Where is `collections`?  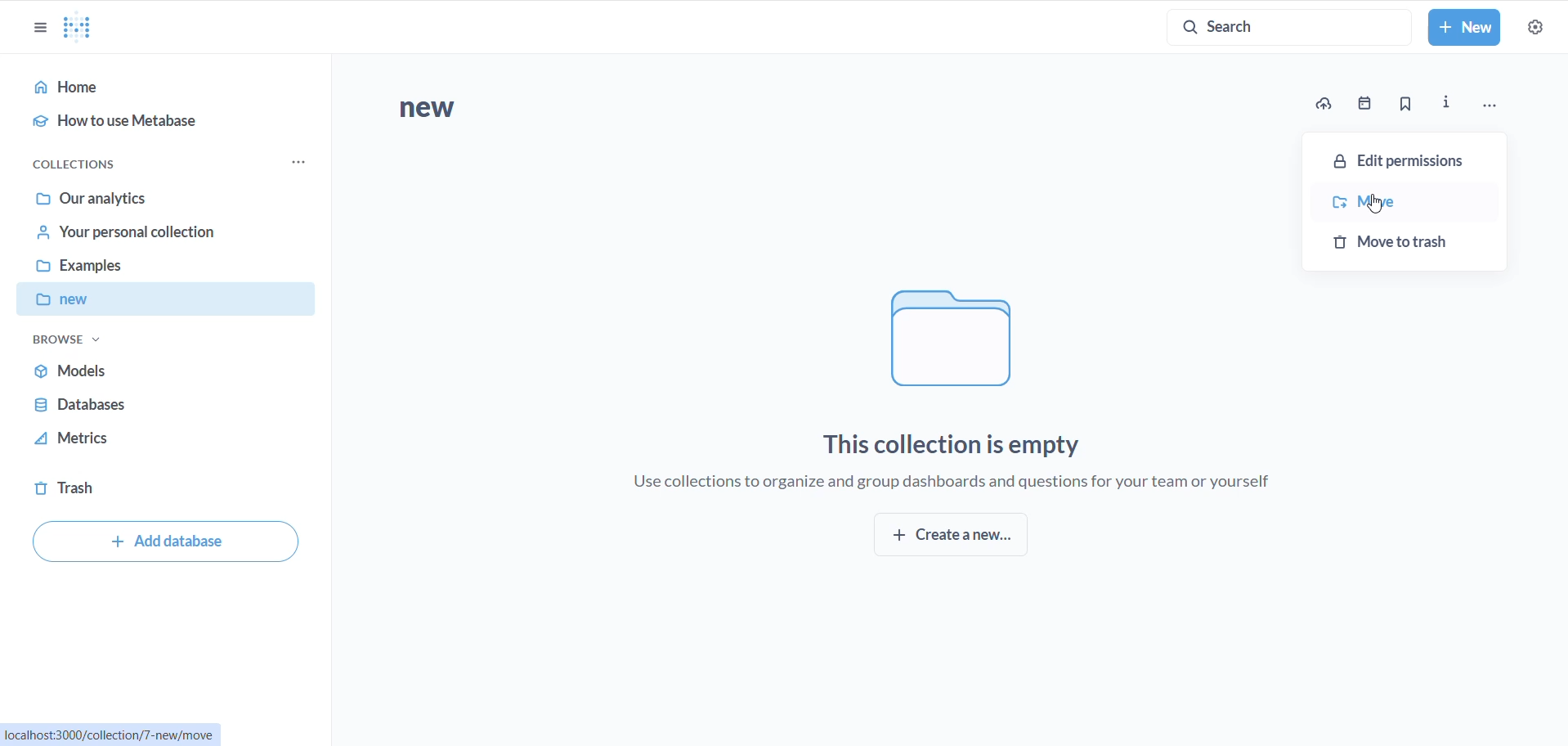 collections is located at coordinates (90, 162).